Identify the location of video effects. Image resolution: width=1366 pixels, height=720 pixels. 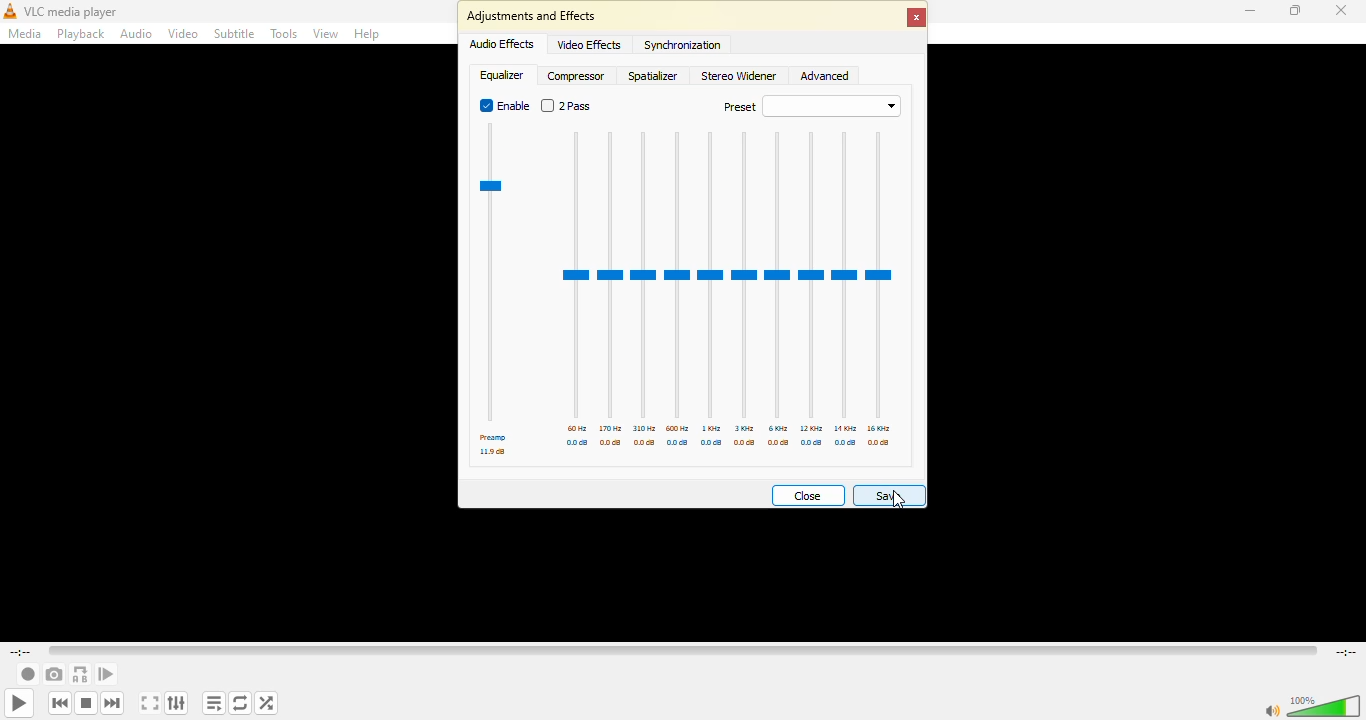
(589, 45).